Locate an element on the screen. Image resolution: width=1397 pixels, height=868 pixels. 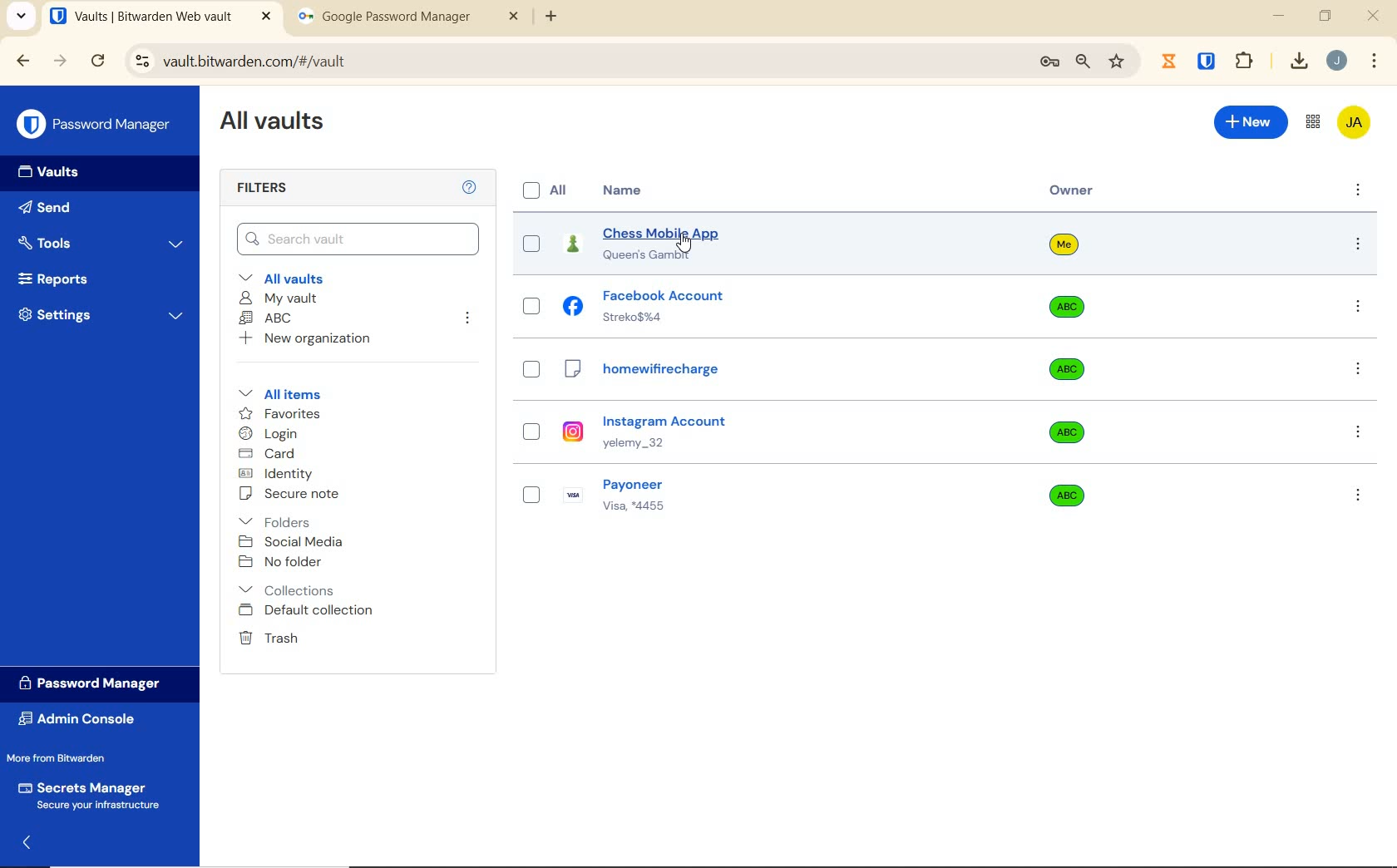
social media is located at coordinates (292, 542).